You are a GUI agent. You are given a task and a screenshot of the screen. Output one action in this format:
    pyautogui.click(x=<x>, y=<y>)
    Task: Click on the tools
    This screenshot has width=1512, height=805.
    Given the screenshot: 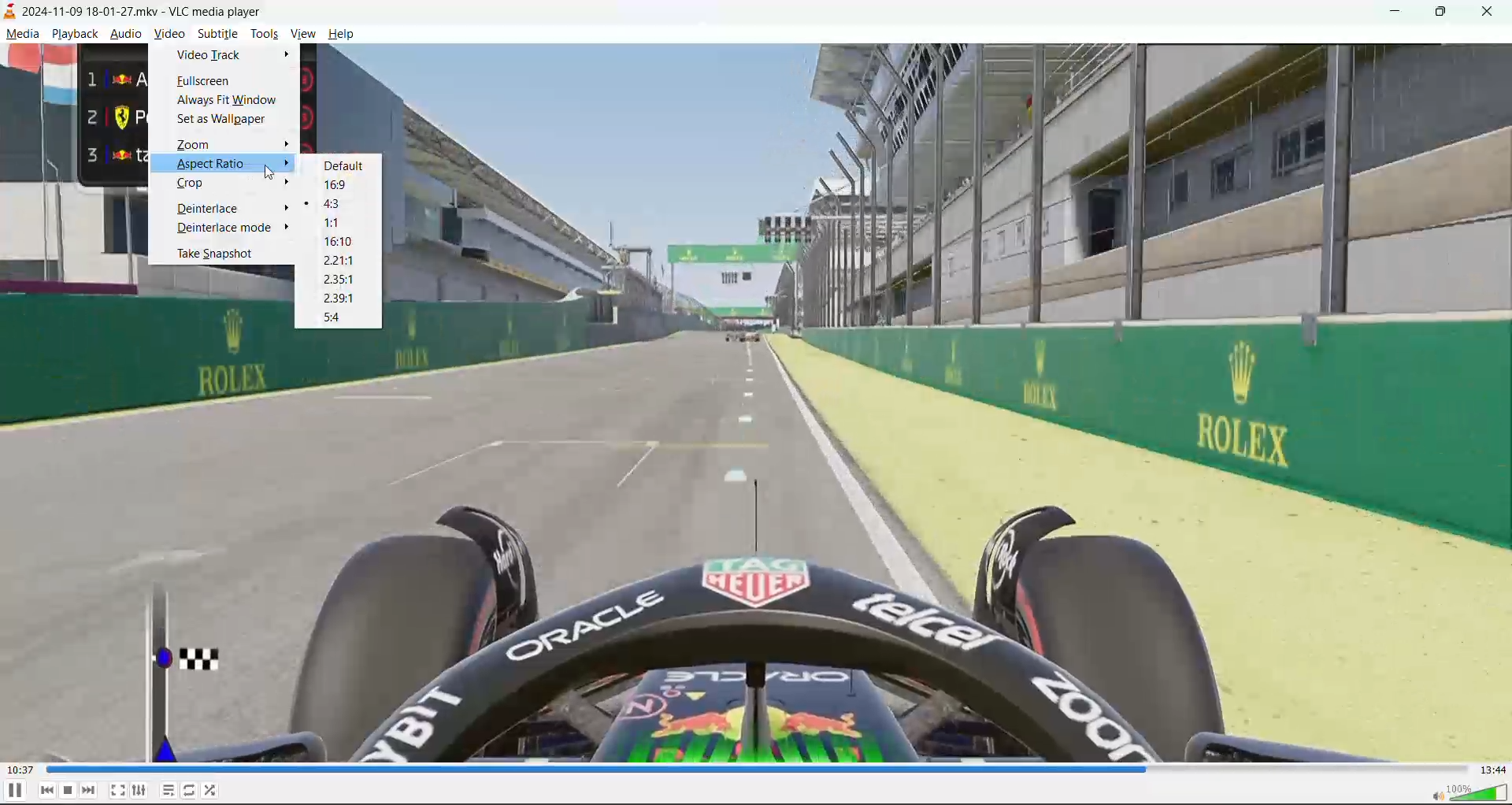 What is the action you would take?
    pyautogui.click(x=265, y=35)
    